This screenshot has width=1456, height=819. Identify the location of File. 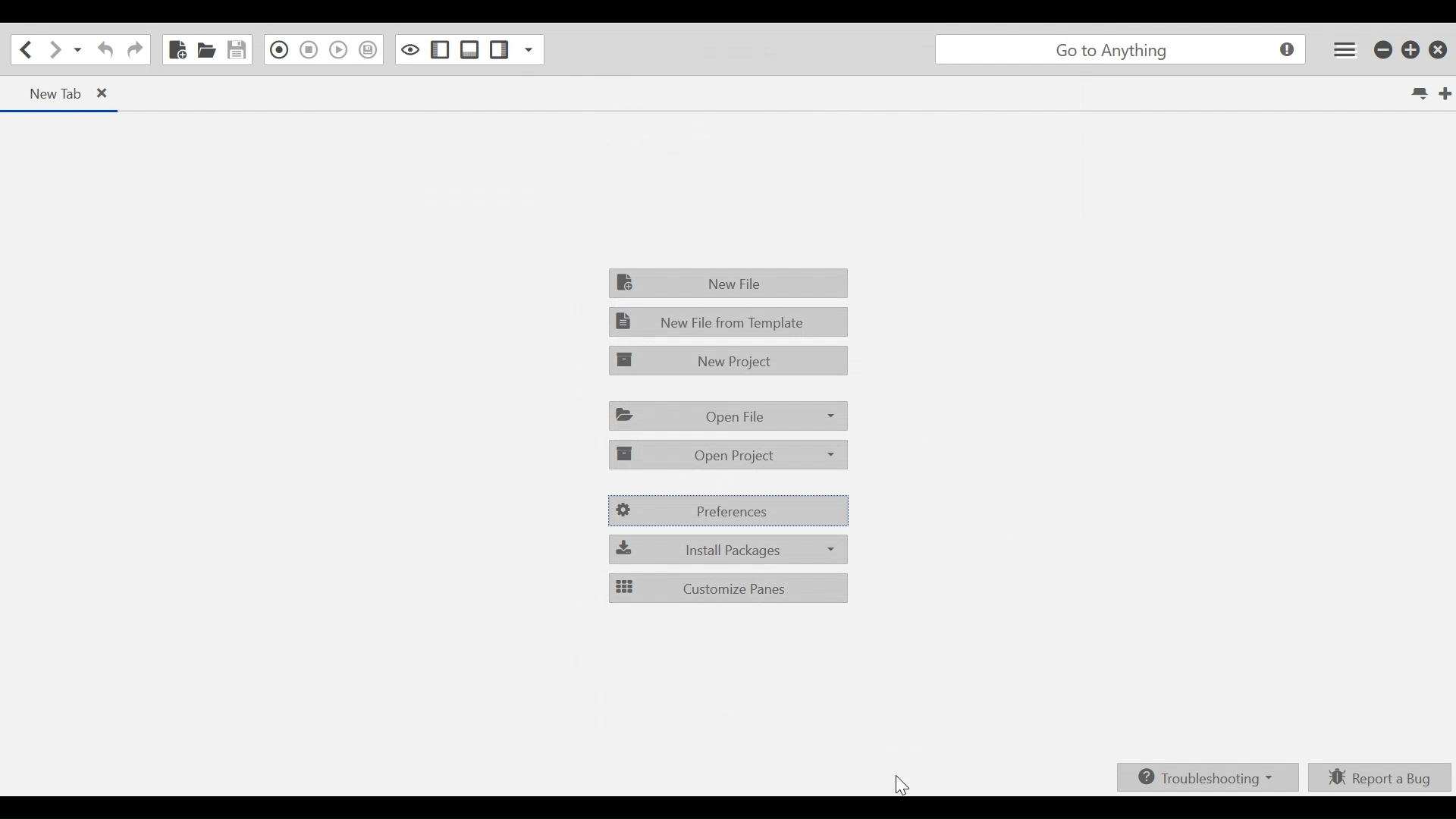
(730, 283).